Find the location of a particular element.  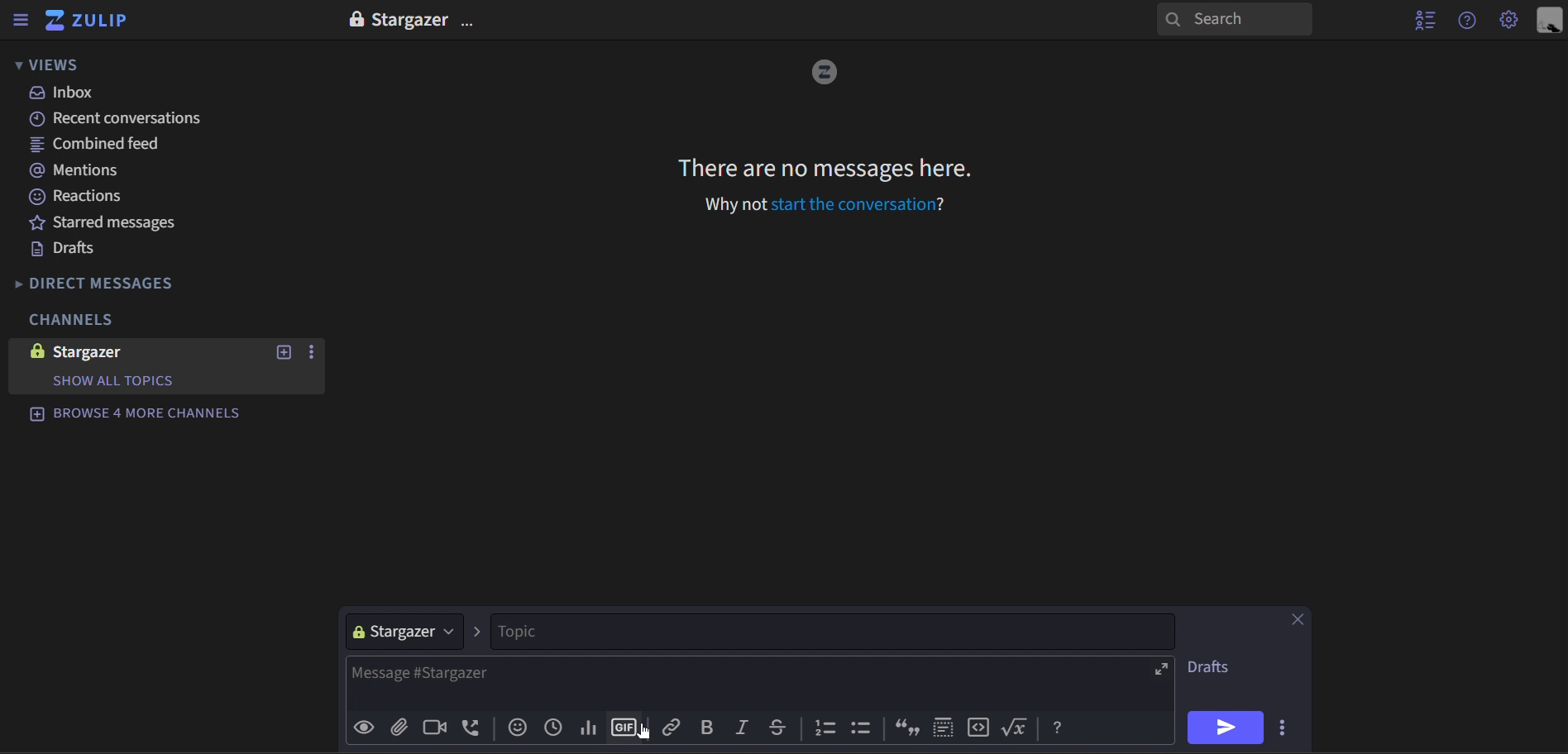

preview is located at coordinates (366, 731).